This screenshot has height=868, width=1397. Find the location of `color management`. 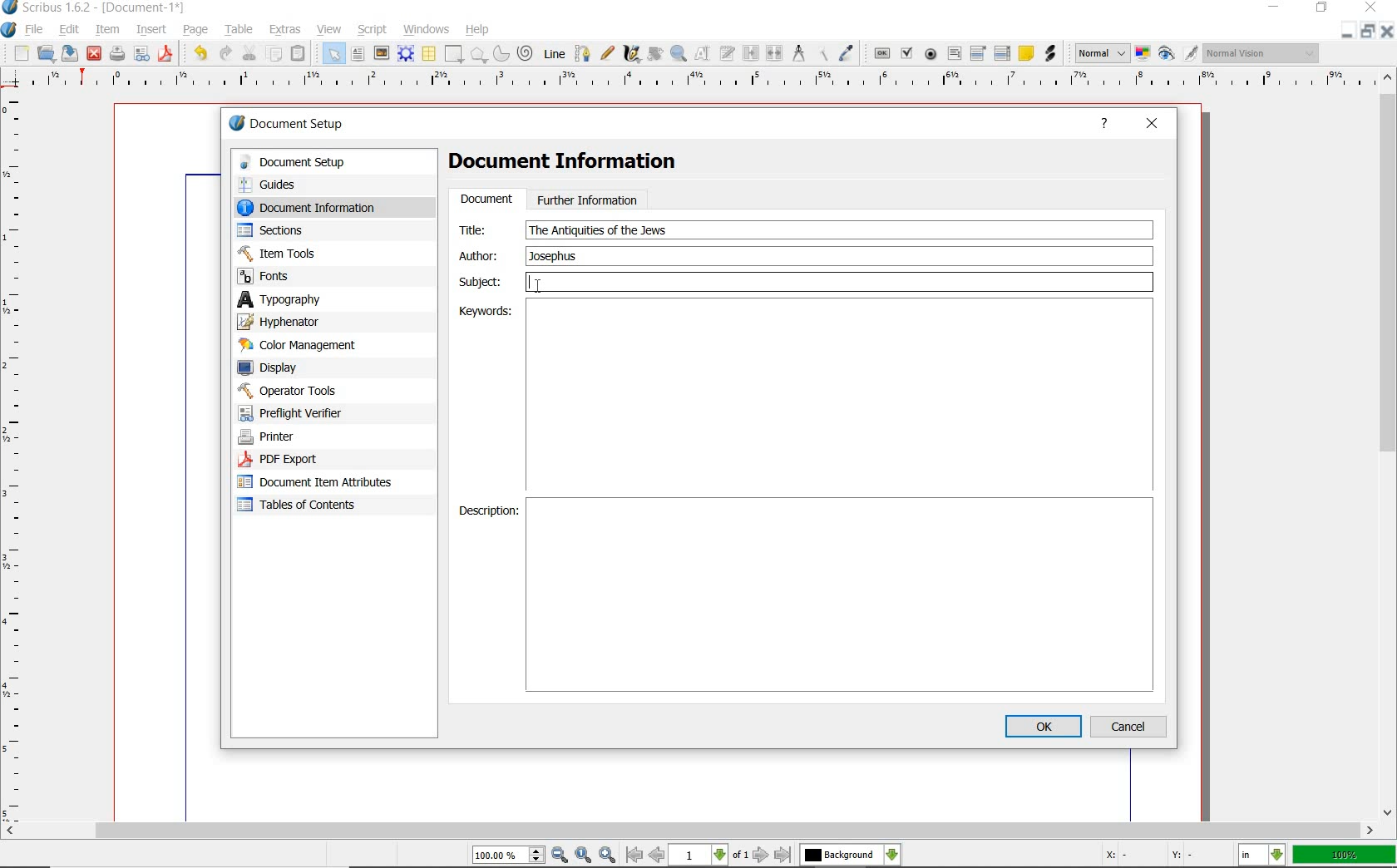

color management is located at coordinates (301, 345).